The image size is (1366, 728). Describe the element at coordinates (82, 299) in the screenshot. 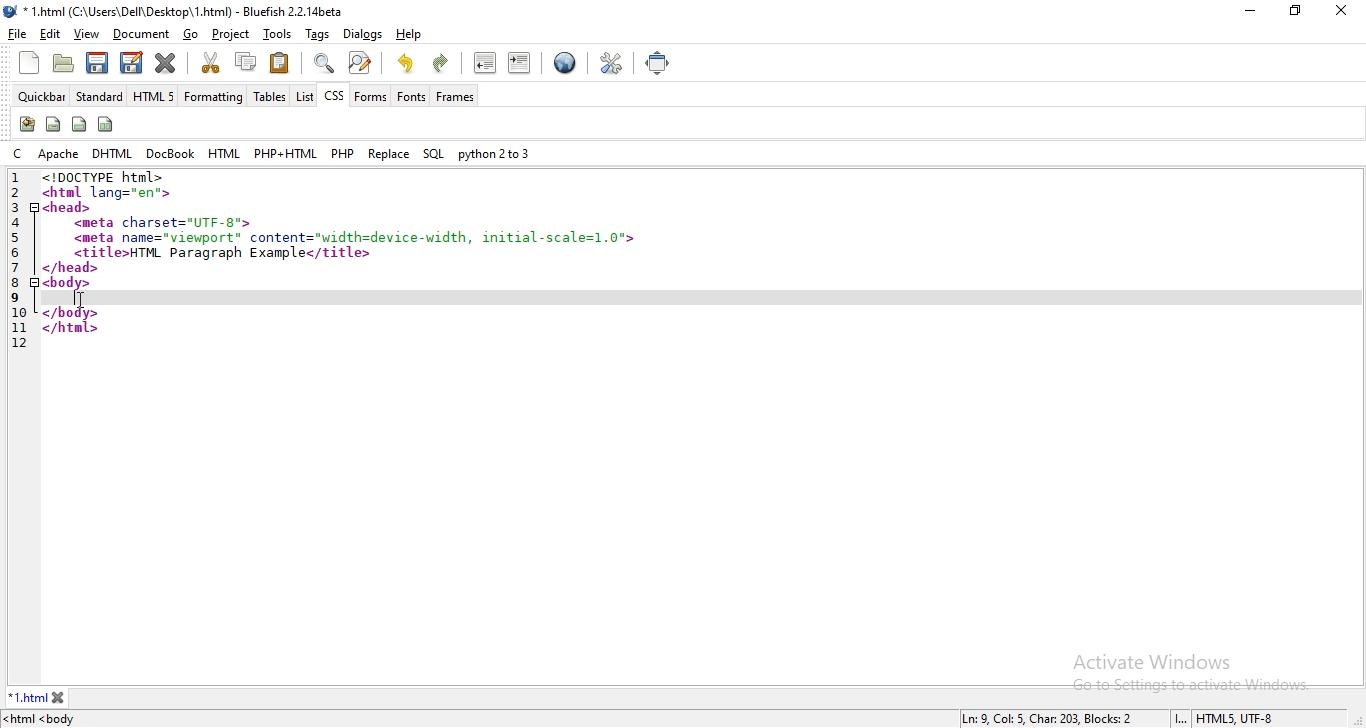

I see `cursor` at that location.